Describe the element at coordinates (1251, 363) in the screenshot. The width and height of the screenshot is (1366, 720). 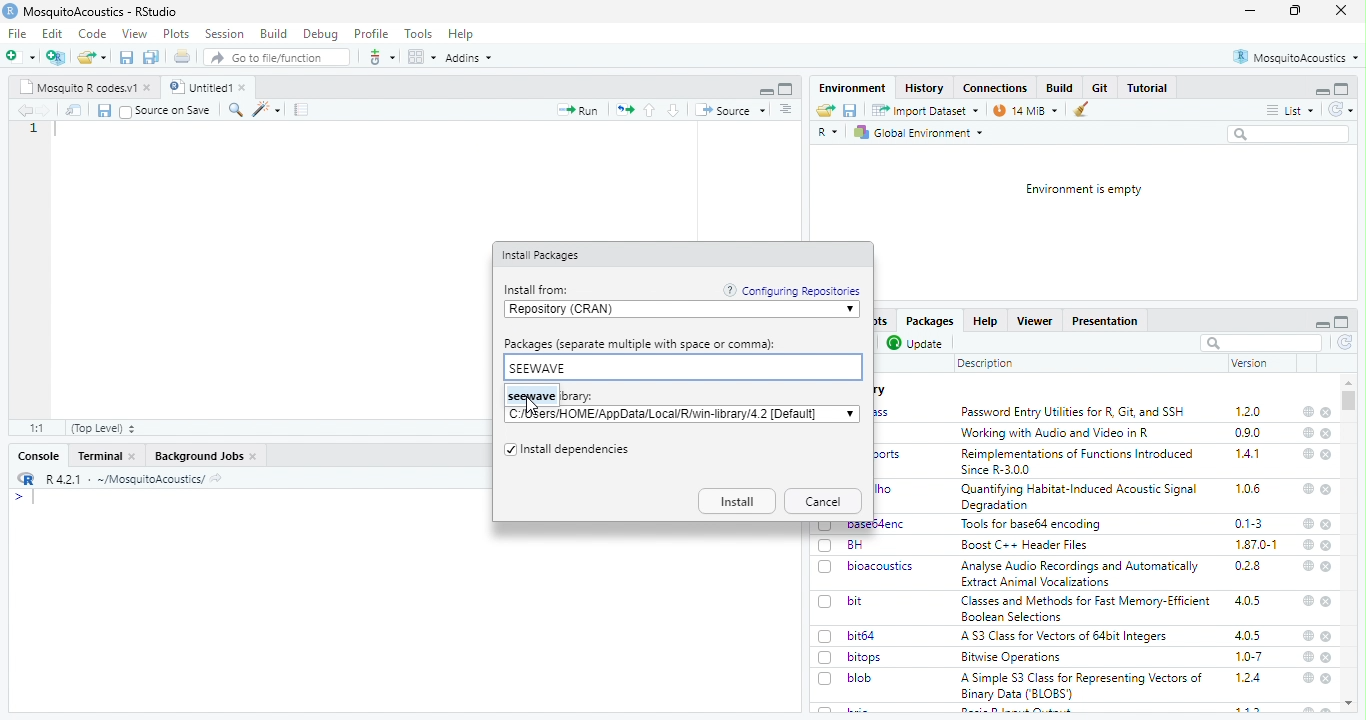
I see `Version` at that location.